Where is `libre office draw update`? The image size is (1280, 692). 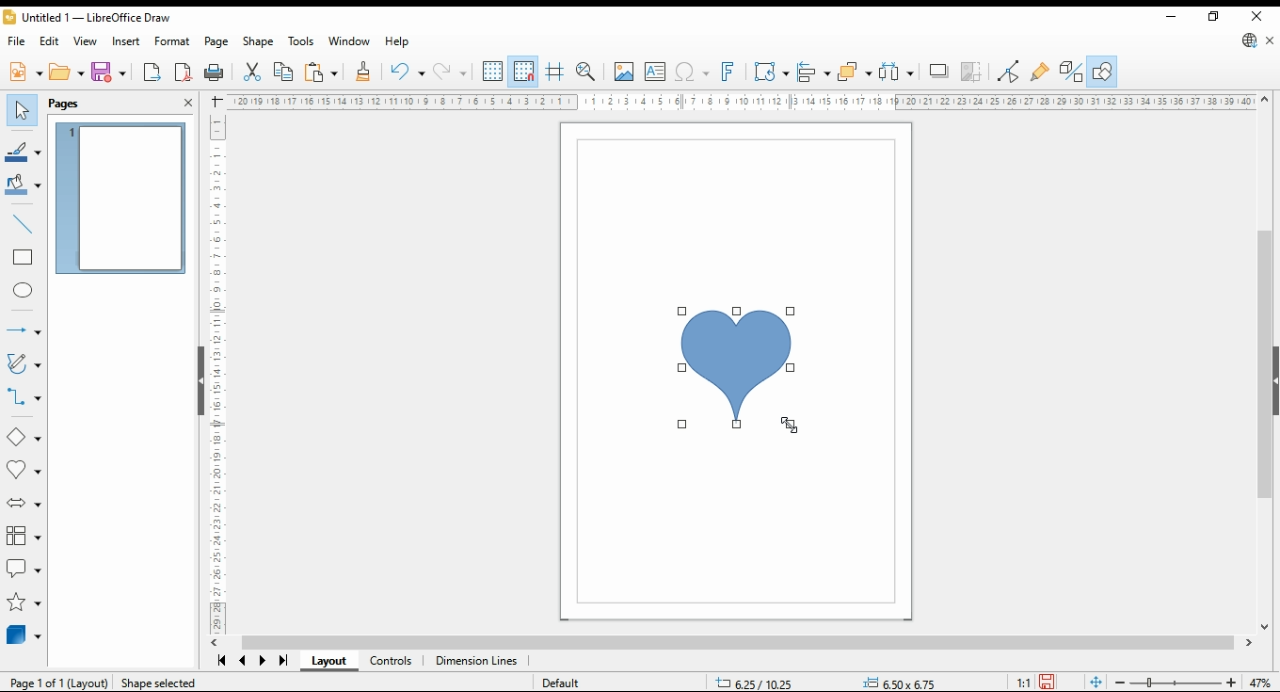 libre office draw update is located at coordinates (1250, 40).